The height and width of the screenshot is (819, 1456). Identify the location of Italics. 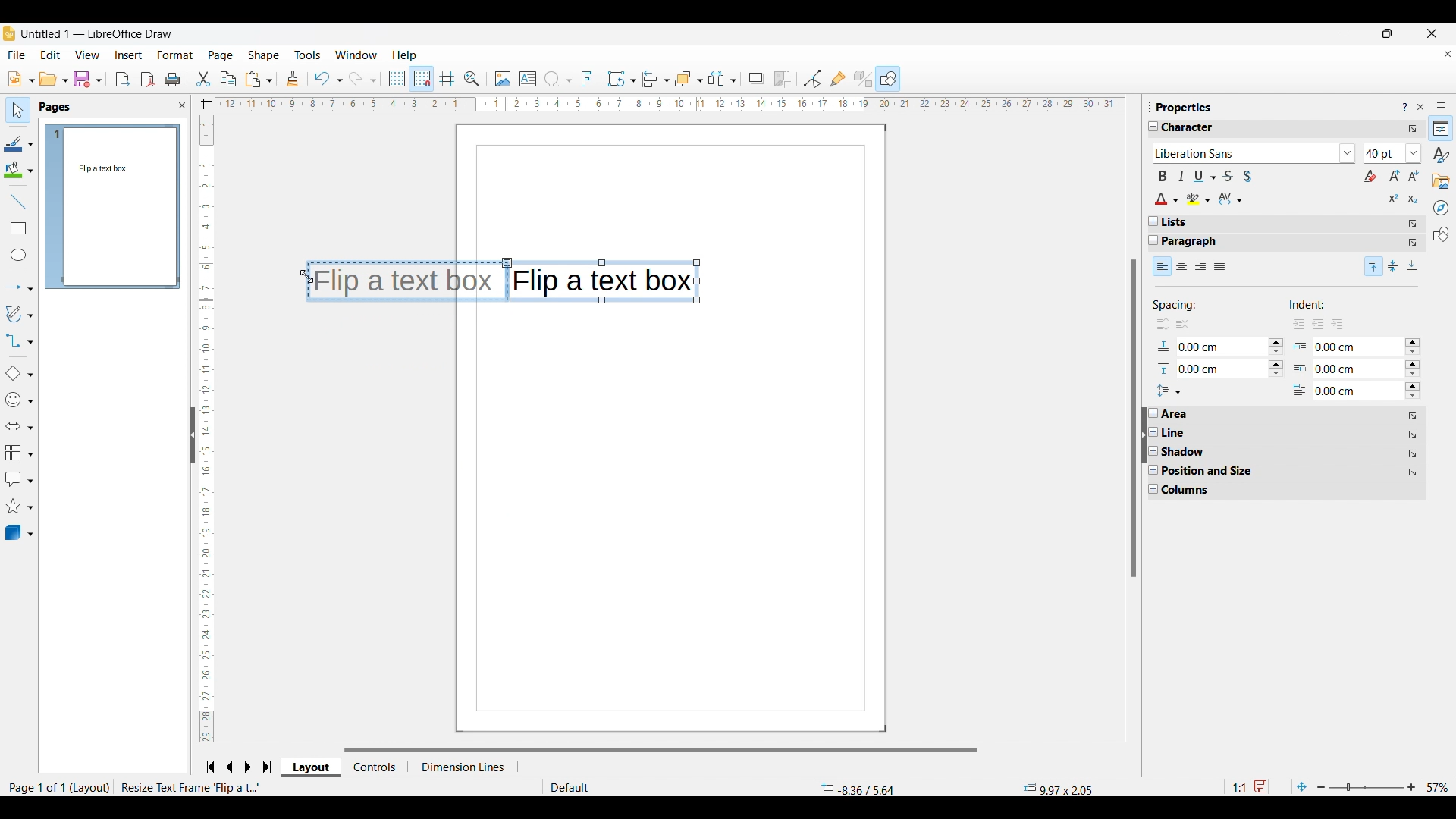
(1181, 176).